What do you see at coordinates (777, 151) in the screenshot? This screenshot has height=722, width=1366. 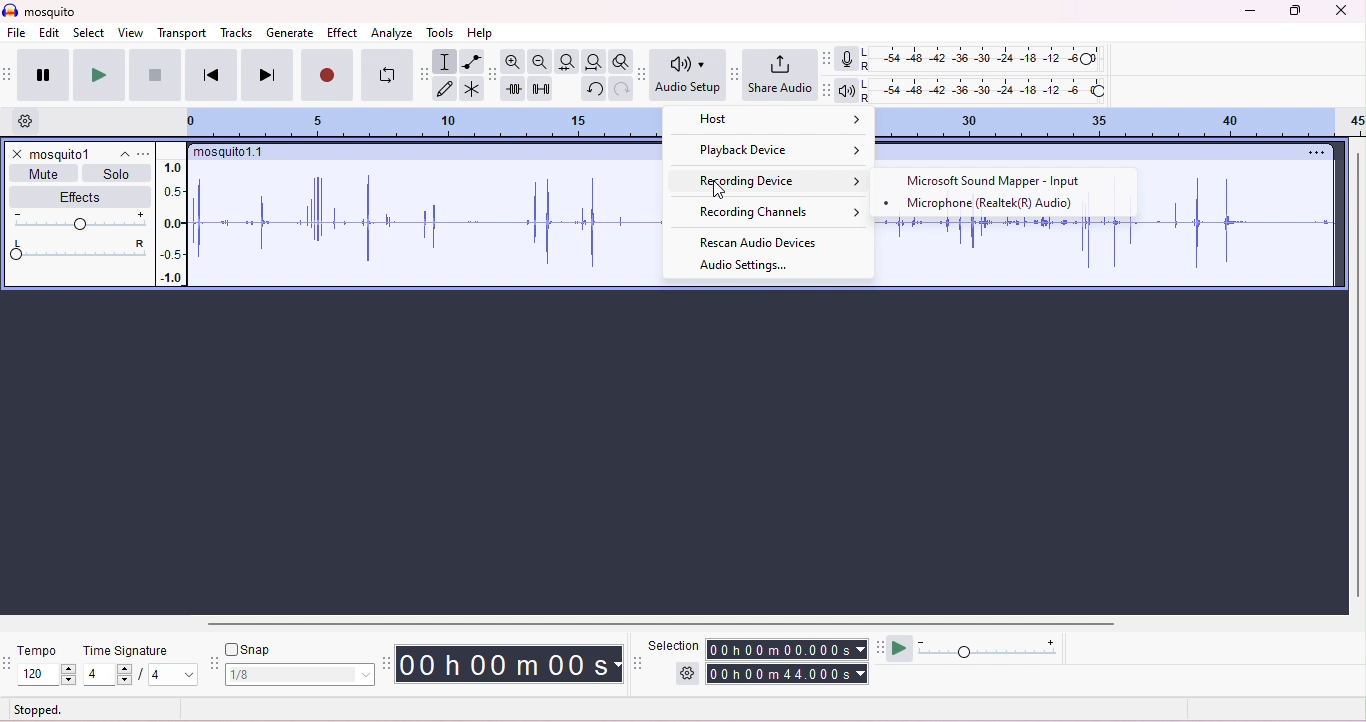 I see `playback device` at bounding box center [777, 151].